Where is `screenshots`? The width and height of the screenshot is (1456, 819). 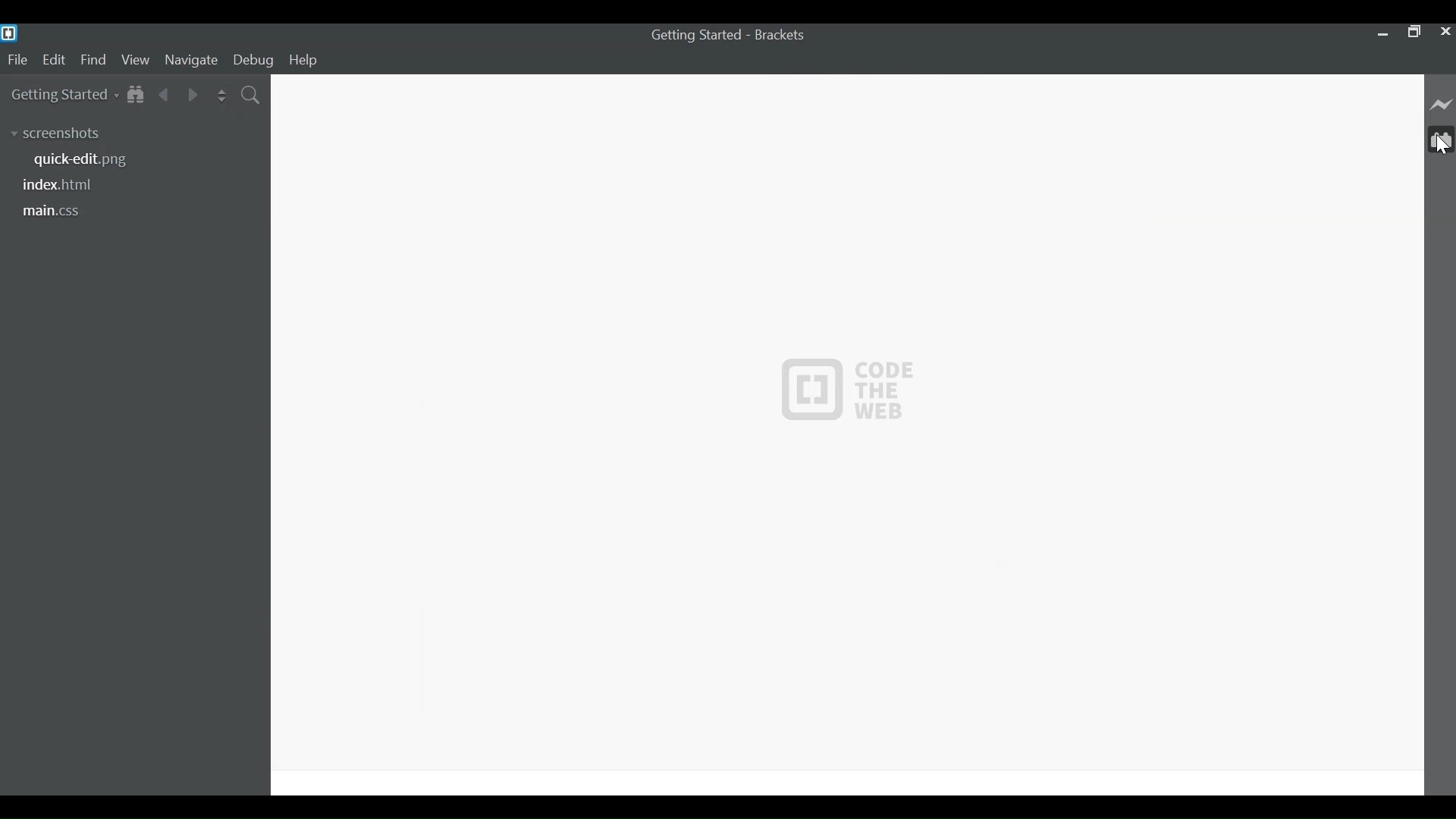 screenshots is located at coordinates (58, 134).